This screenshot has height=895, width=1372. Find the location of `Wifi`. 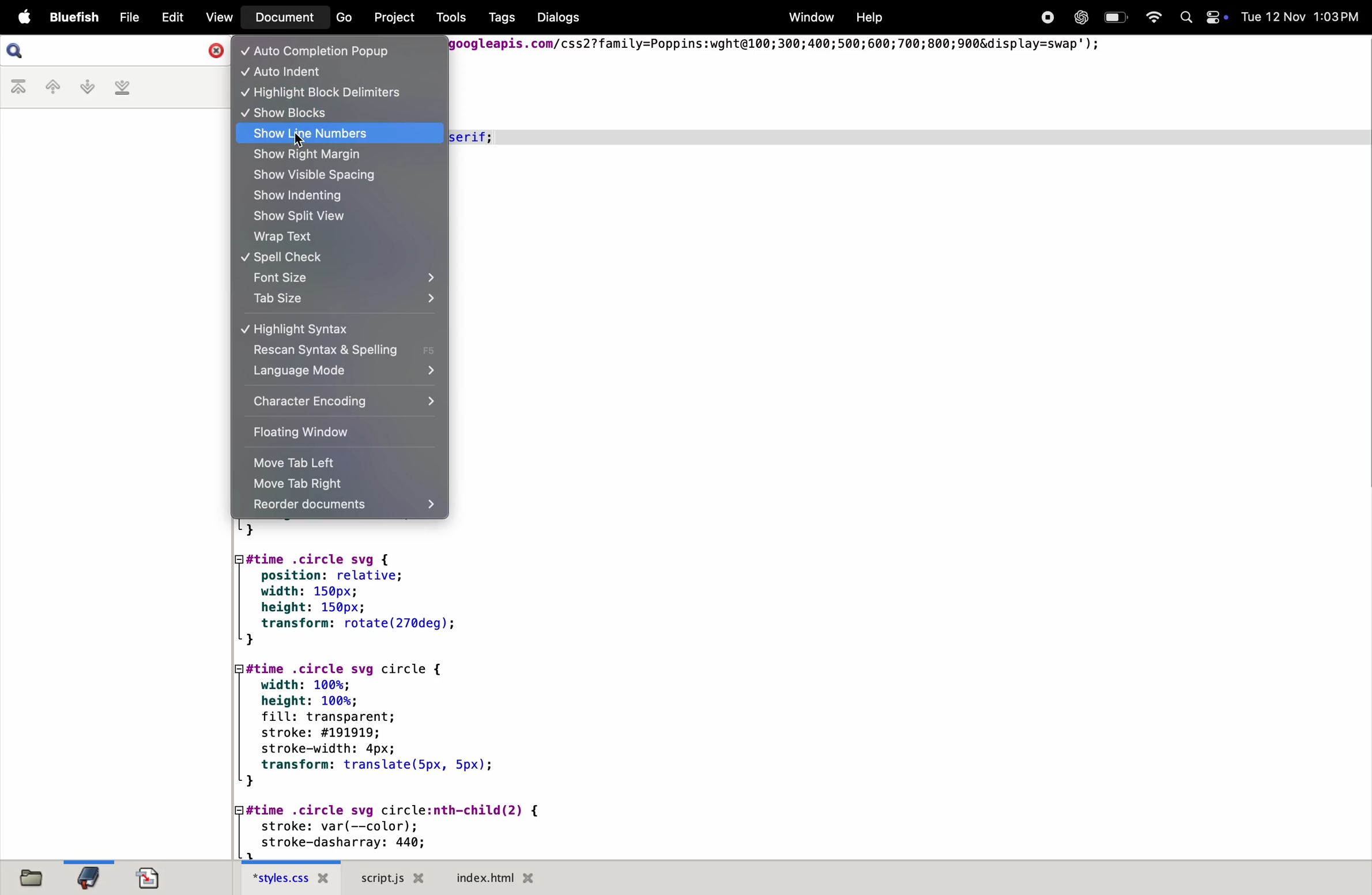

Wifi is located at coordinates (1154, 17).